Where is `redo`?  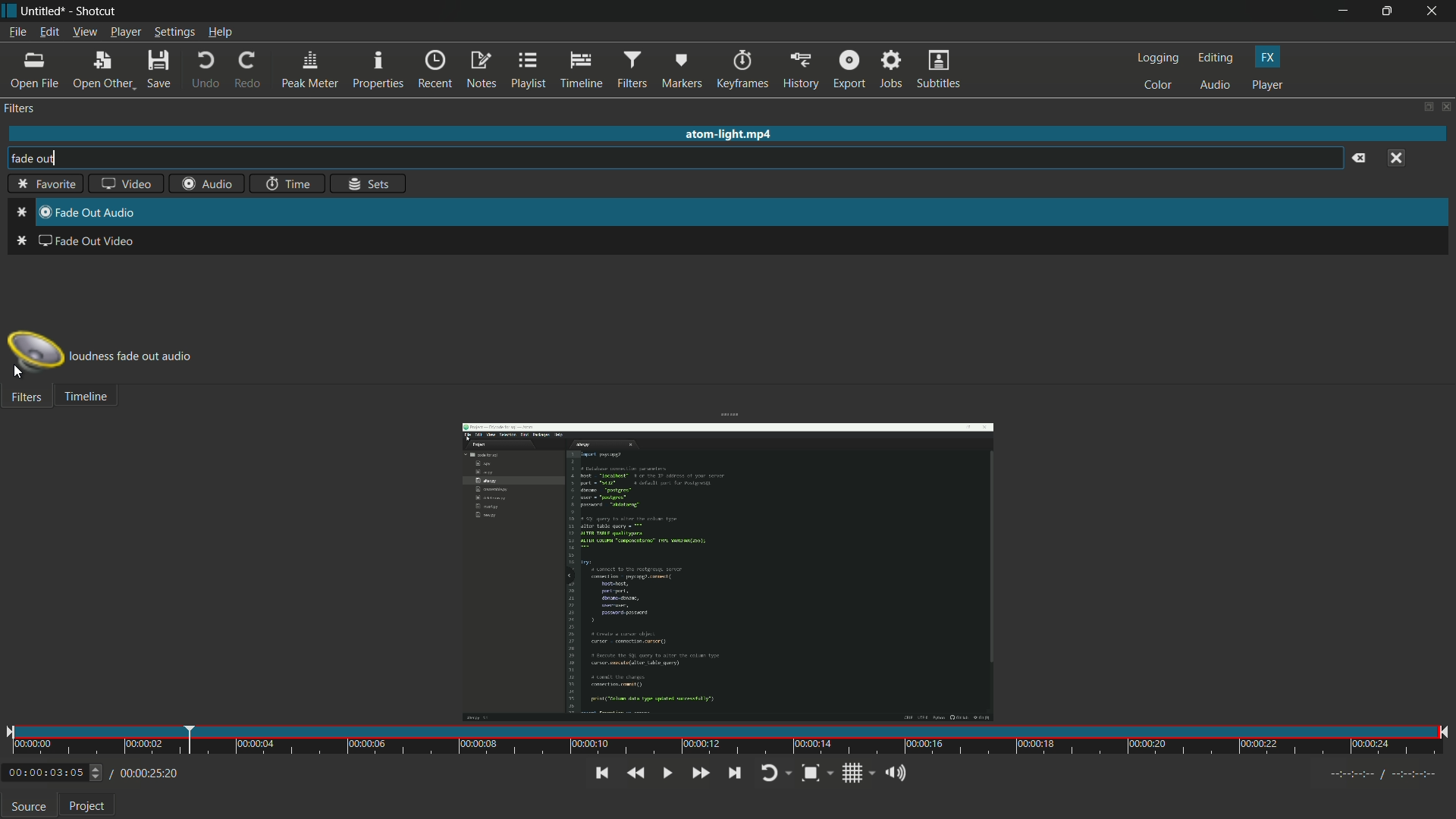
redo is located at coordinates (249, 71).